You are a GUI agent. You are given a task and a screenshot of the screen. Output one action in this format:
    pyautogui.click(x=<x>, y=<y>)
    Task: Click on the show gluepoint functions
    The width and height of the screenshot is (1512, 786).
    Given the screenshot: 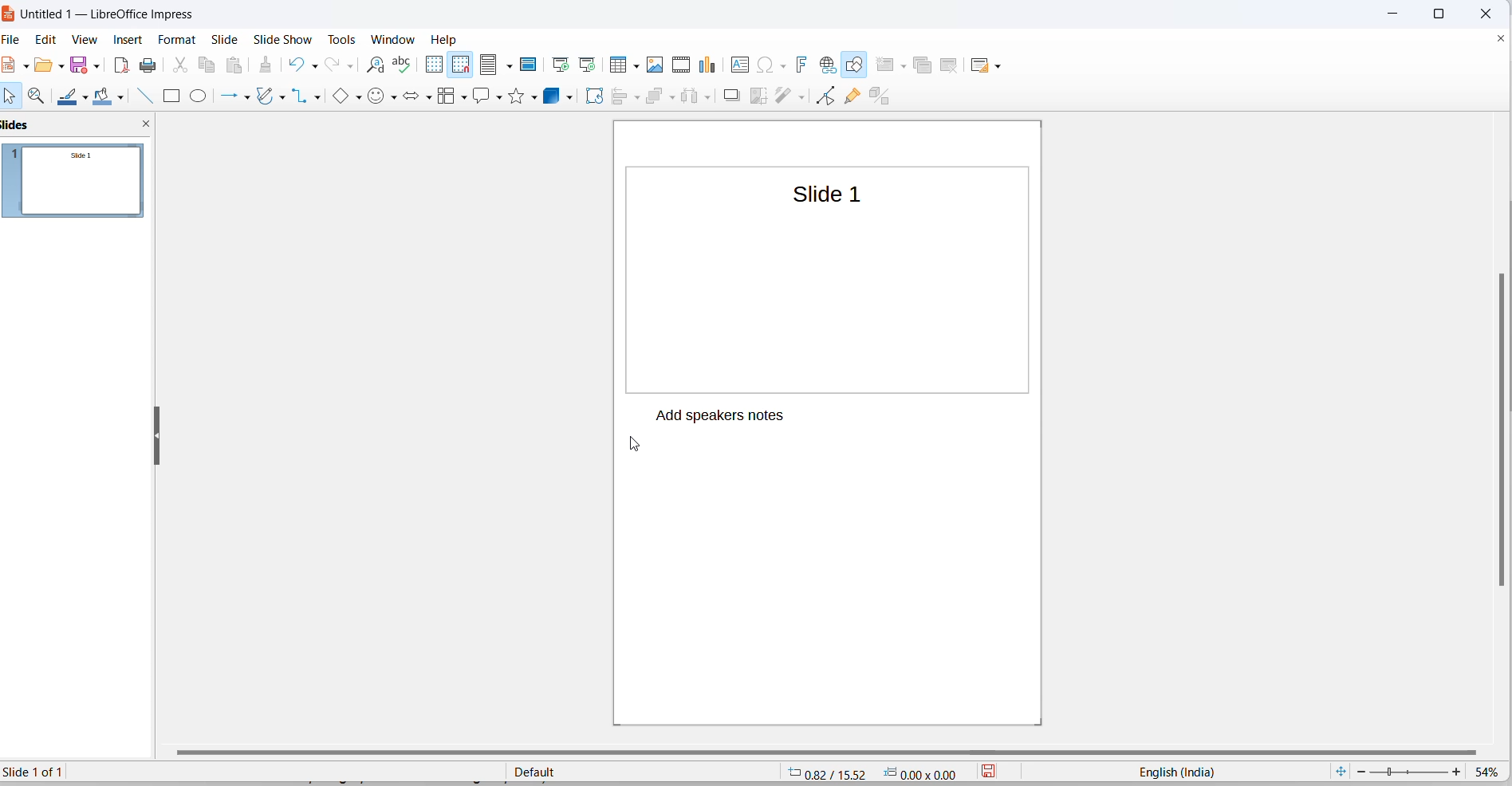 What is the action you would take?
    pyautogui.click(x=854, y=98)
    